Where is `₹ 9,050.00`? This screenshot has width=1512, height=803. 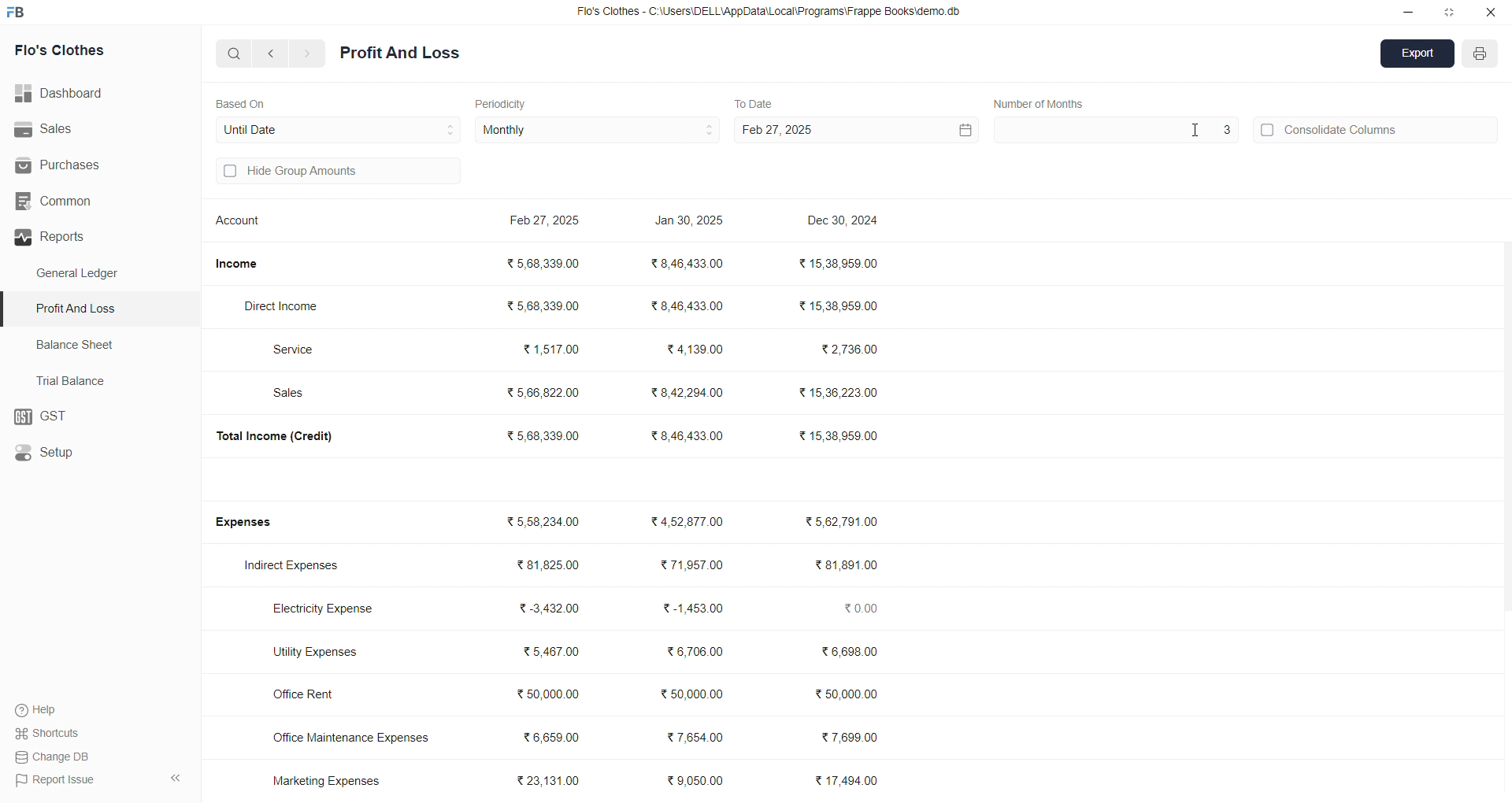
₹ 9,050.00 is located at coordinates (700, 783).